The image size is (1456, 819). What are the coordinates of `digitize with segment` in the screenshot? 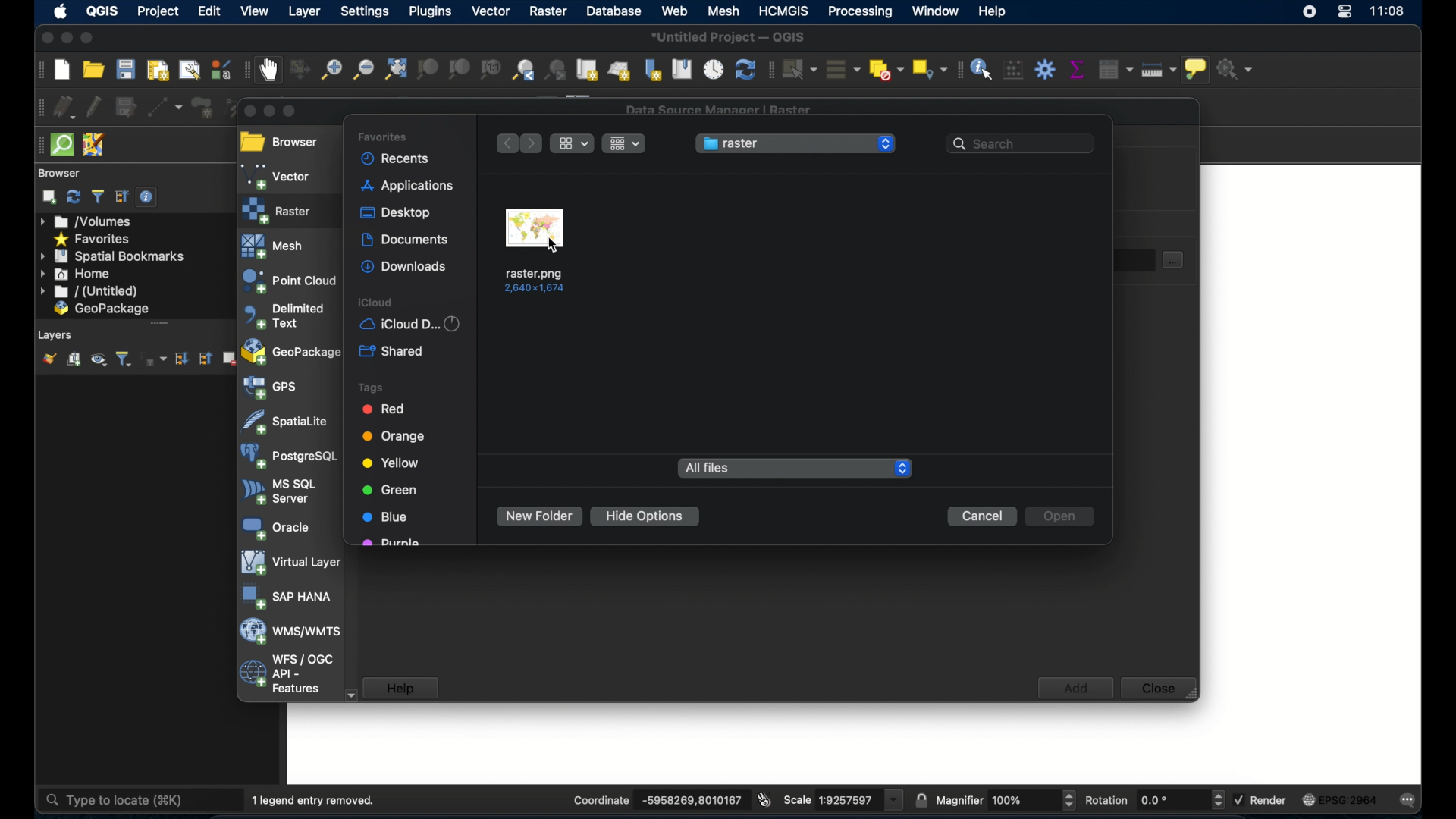 It's located at (165, 107).